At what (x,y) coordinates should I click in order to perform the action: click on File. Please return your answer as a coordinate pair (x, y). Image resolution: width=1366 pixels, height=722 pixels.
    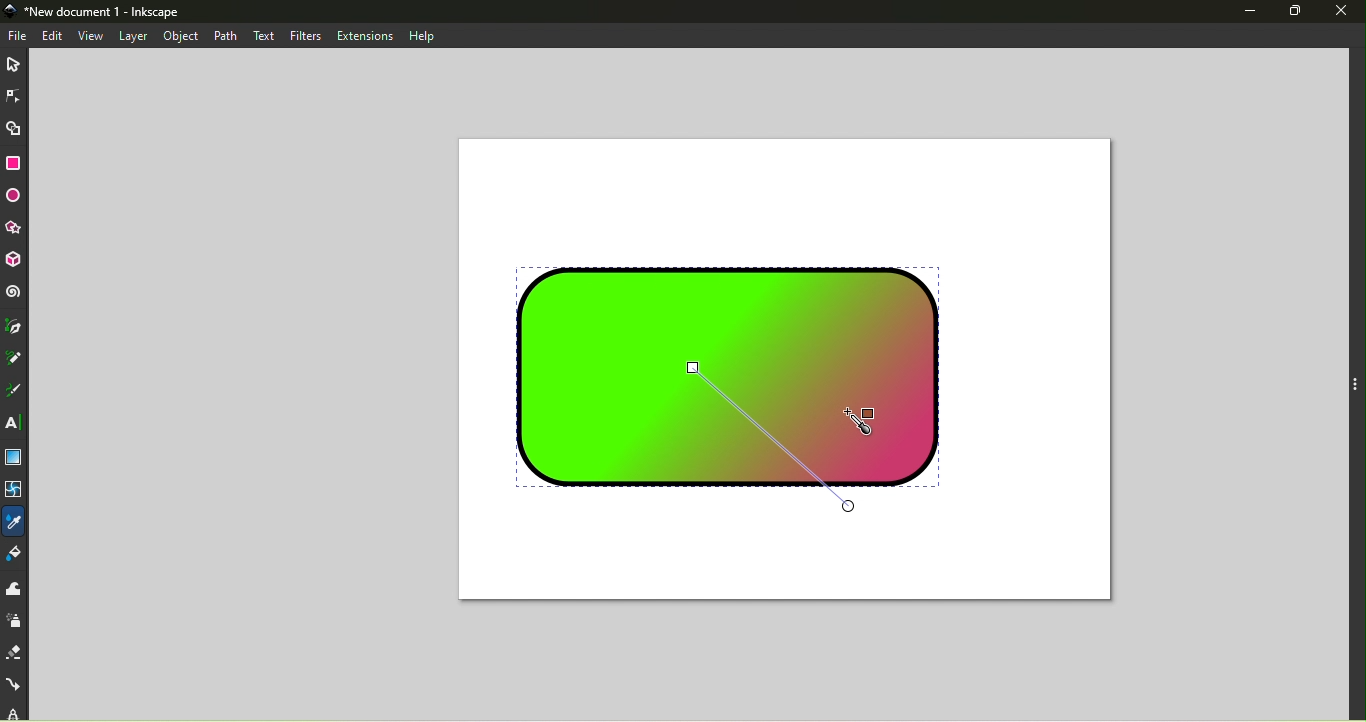
    Looking at the image, I should click on (19, 36).